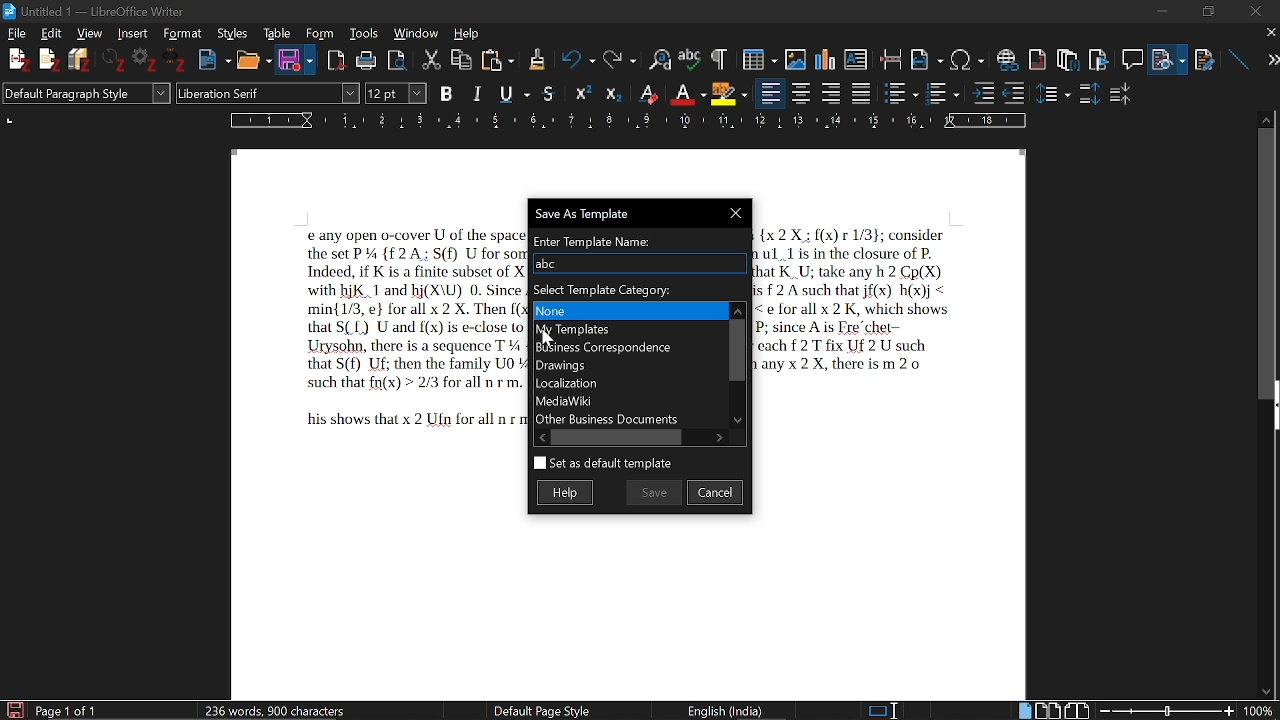 Image resolution: width=1280 pixels, height=720 pixels. I want to click on insert bookmark, so click(1100, 57).